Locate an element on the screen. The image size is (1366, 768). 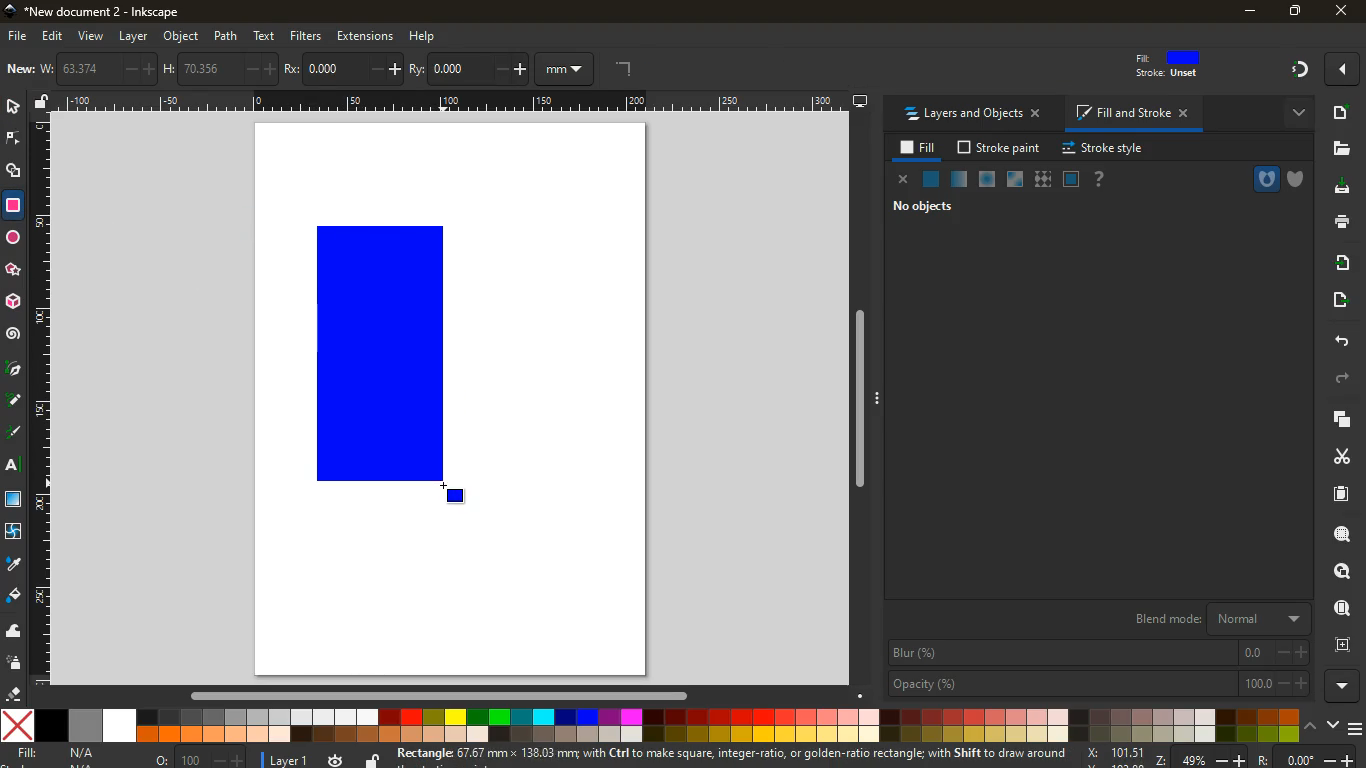
po is located at coordinates (344, 70).